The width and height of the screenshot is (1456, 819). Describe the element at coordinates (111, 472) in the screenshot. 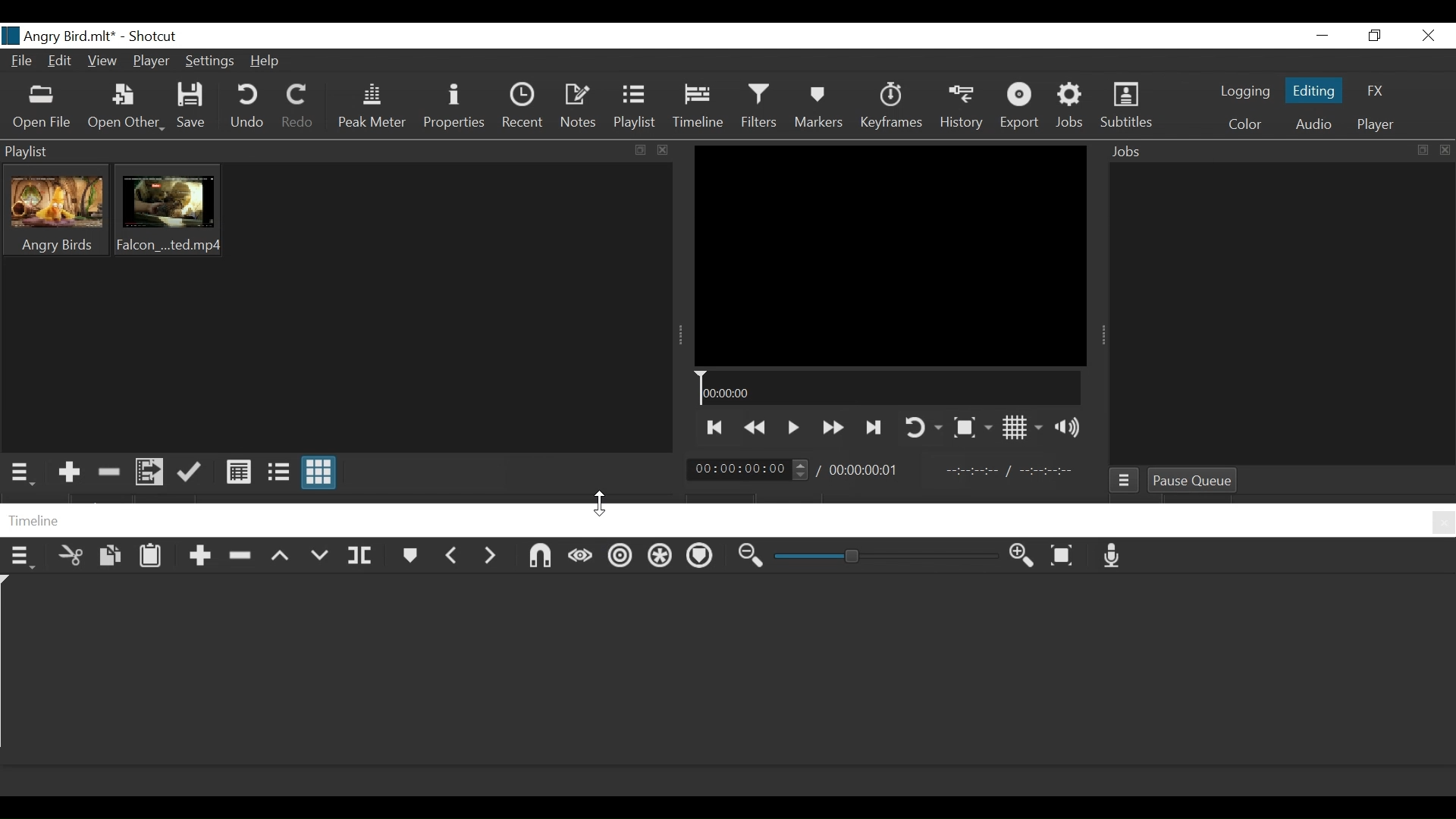

I see `Remove cut` at that location.